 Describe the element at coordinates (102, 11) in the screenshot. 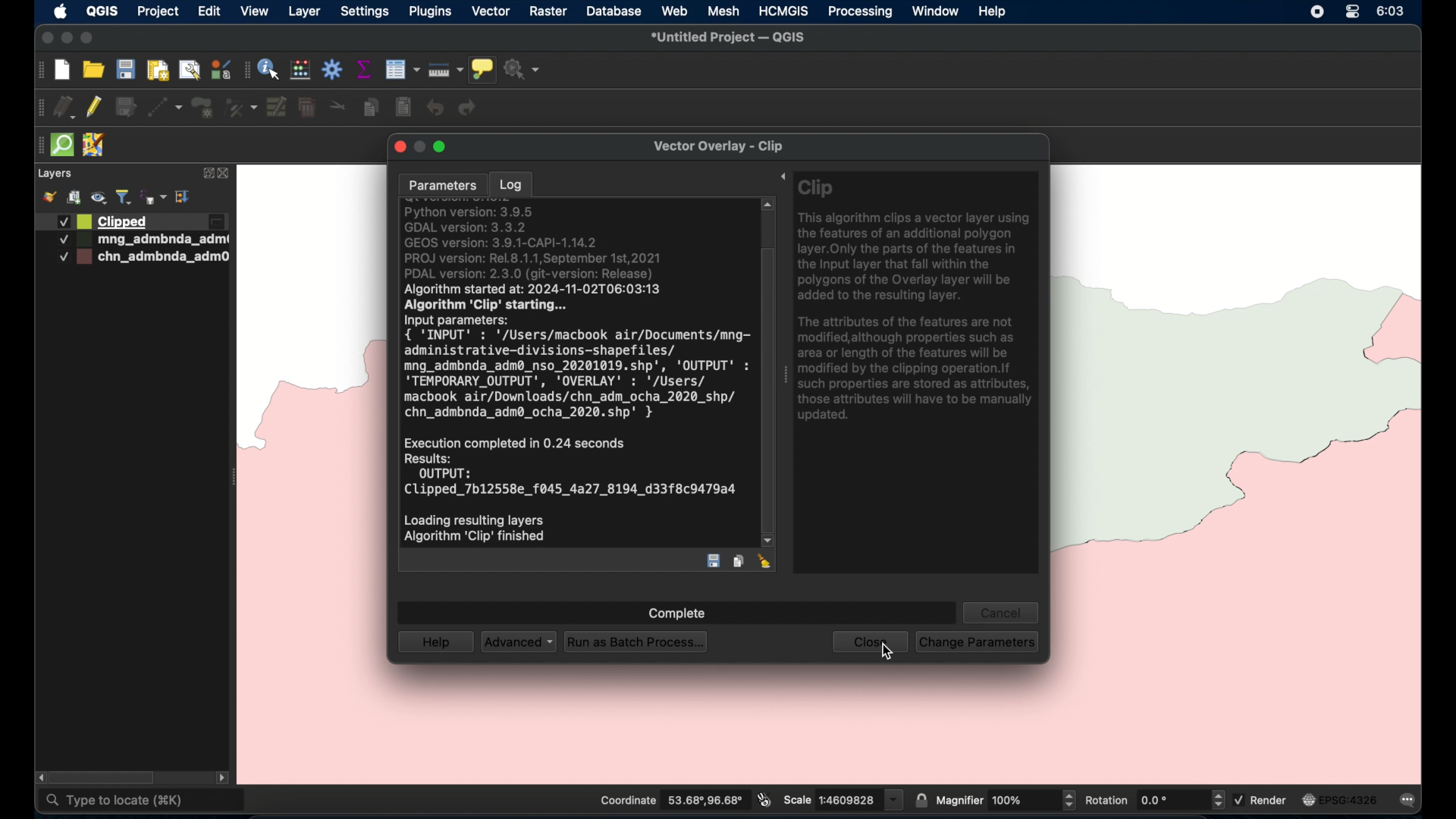

I see `QGIS` at that location.